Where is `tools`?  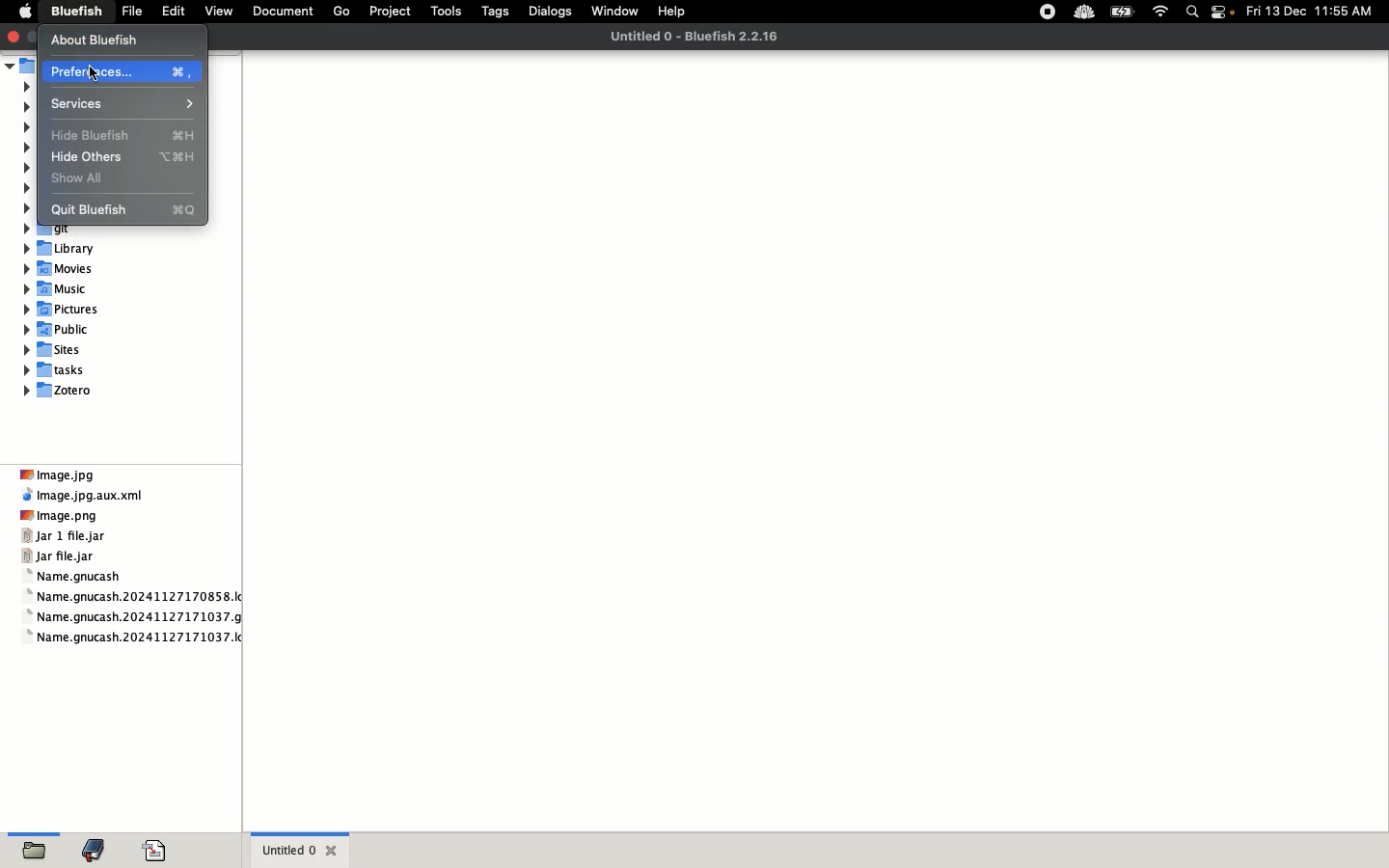 tools is located at coordinates (443, 14).